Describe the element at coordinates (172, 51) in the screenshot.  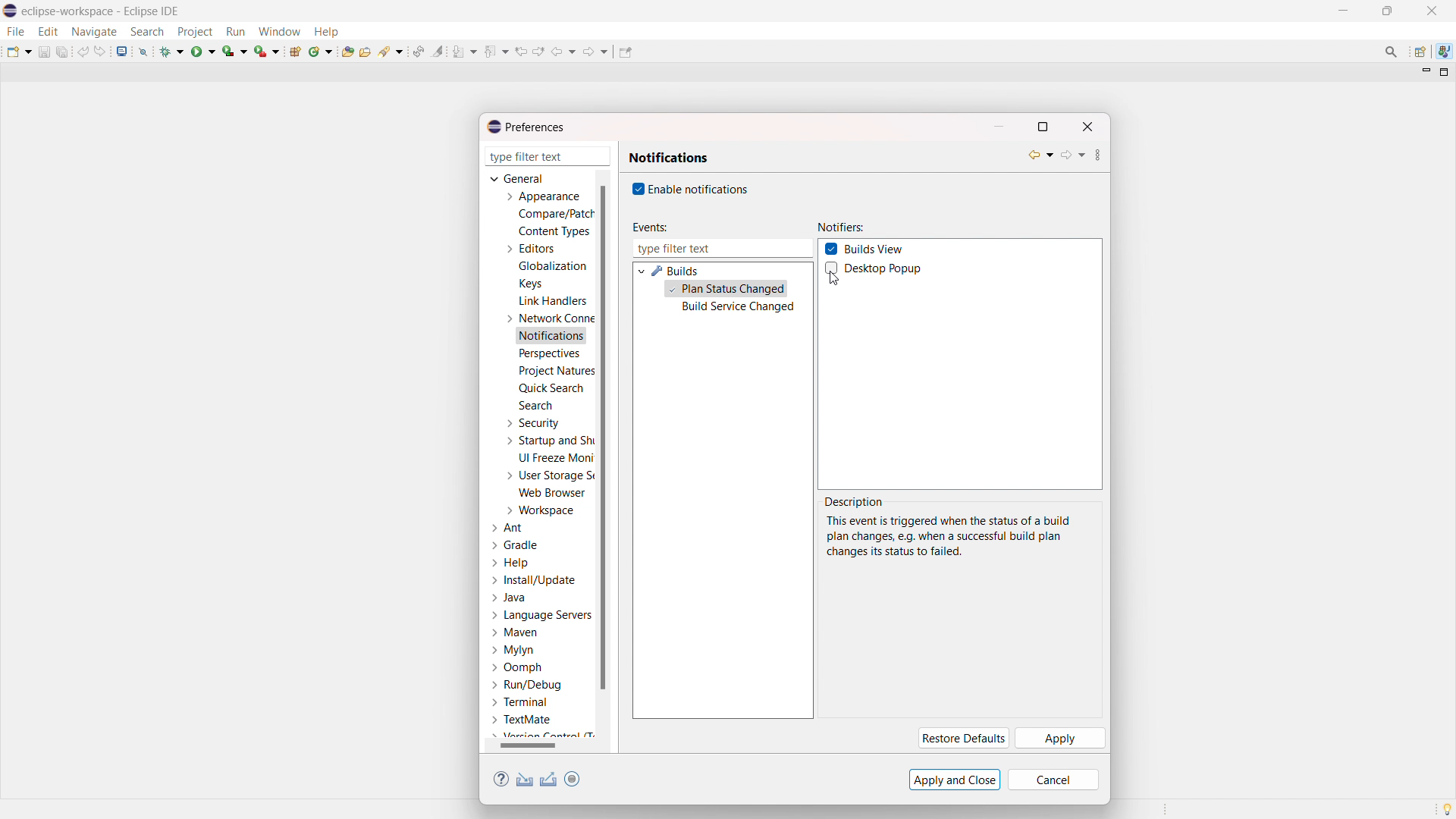
I see `debug` at that location.